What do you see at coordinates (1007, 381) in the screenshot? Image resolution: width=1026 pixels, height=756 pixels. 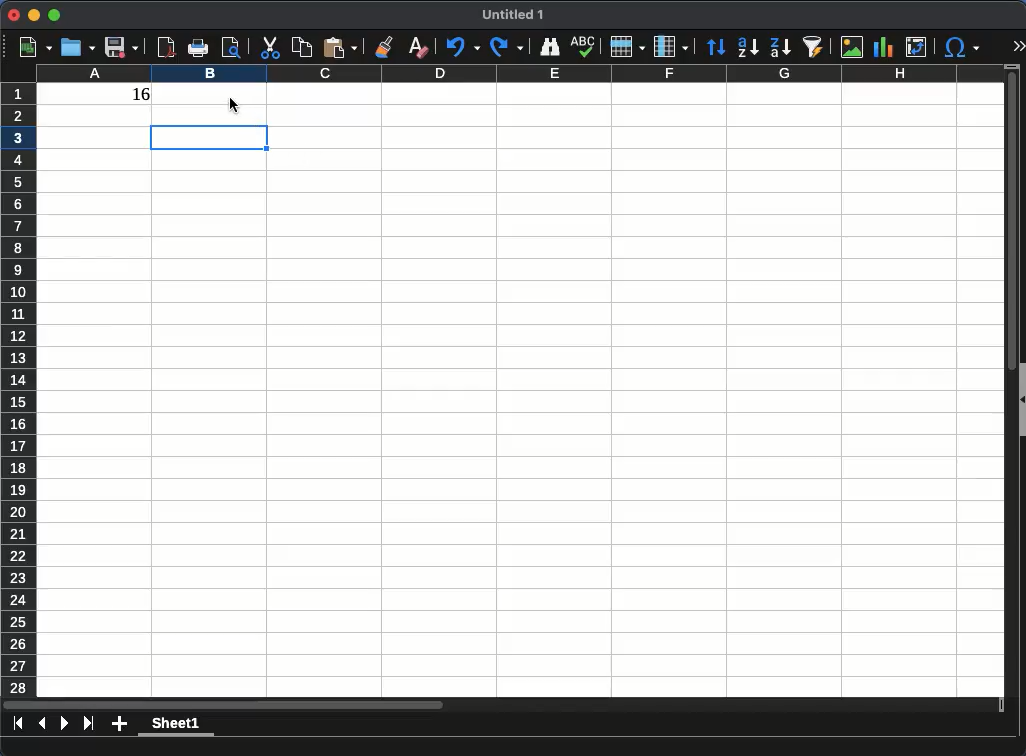 I see `scroll` at bounding box center [1007, 381].